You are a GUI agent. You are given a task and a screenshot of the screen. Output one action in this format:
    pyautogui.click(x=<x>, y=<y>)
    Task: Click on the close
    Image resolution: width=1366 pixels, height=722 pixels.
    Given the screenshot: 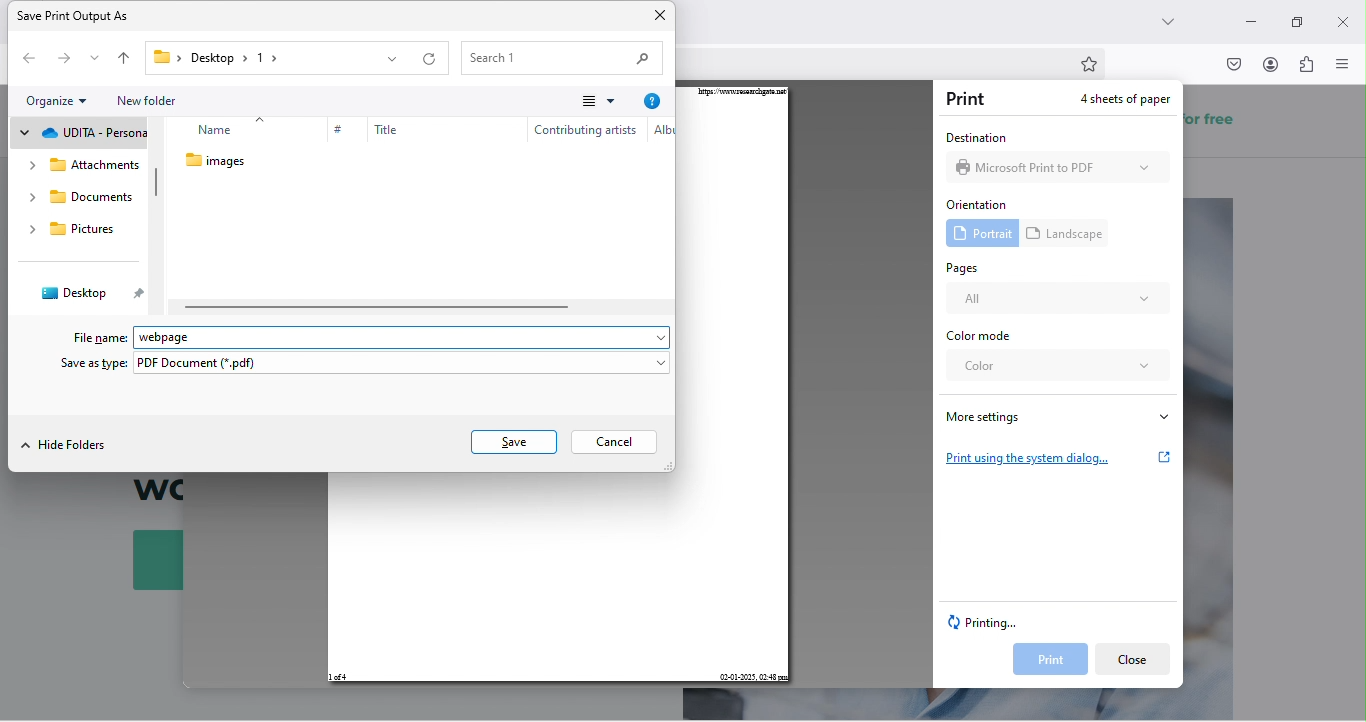 What is the action you would take?
    pyautogui.click(x=661, y=17)
    